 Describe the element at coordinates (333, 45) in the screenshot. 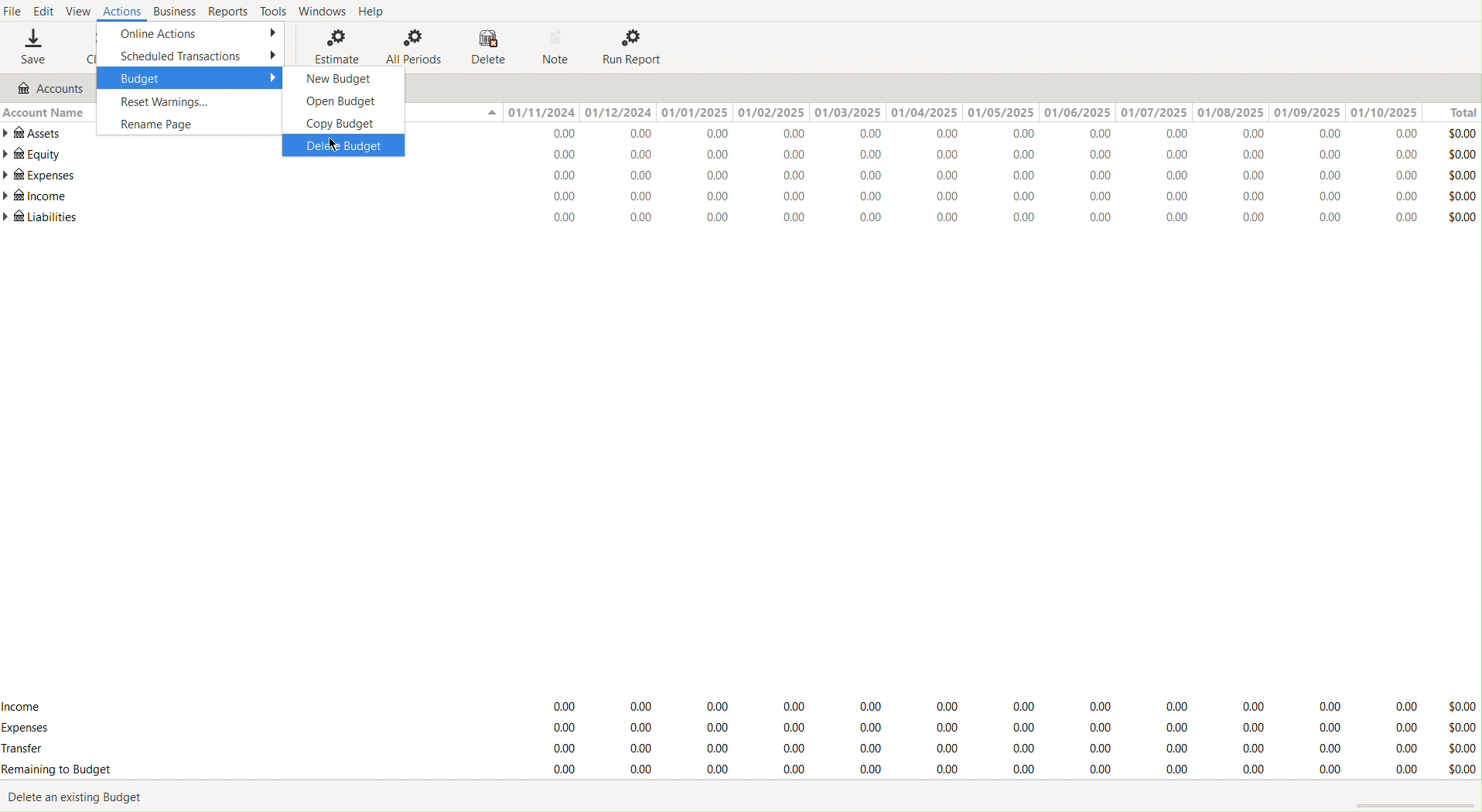

I see `Estimate` at that location.